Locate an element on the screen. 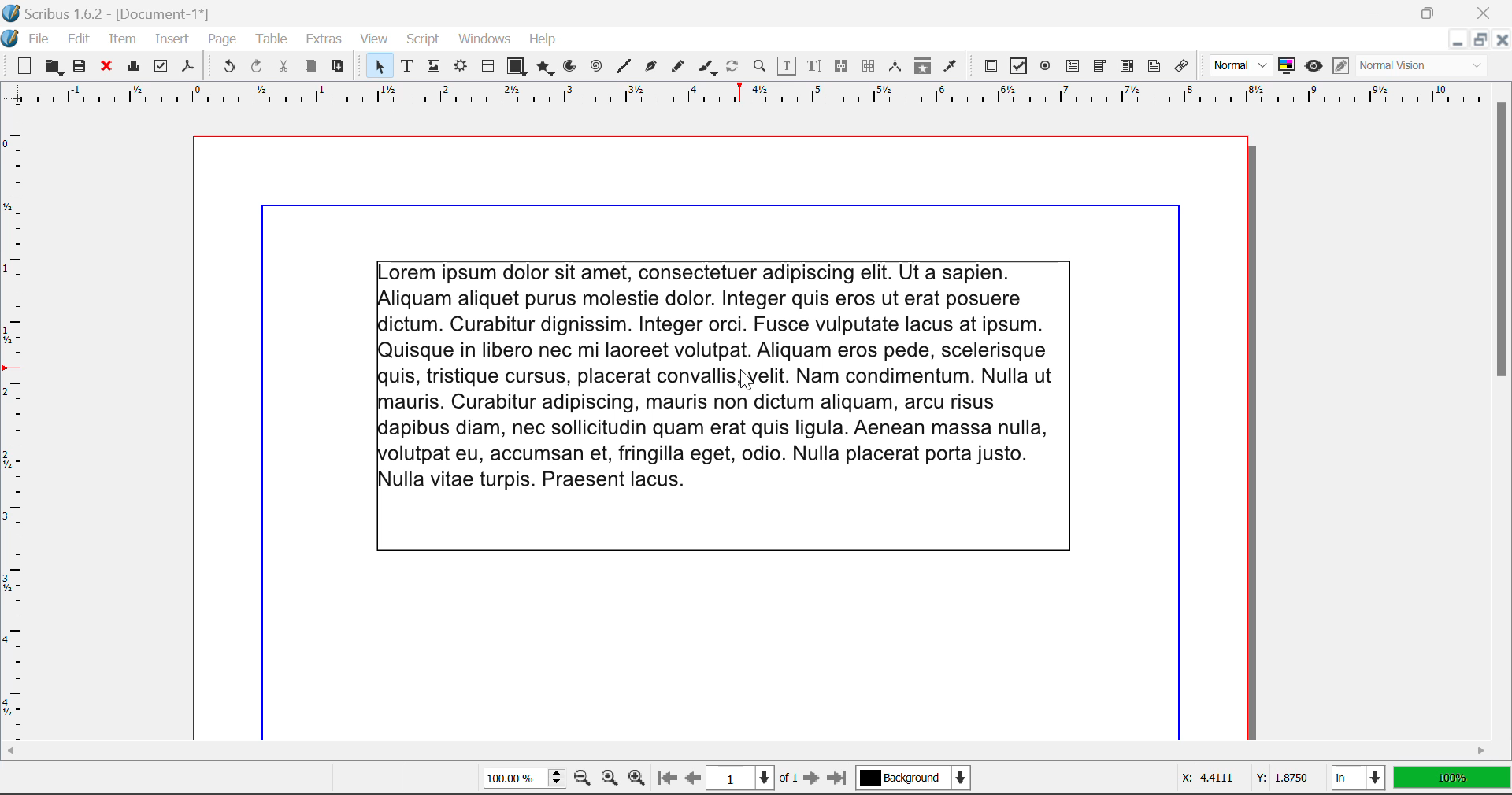  New is located at coordinates (20, 67).